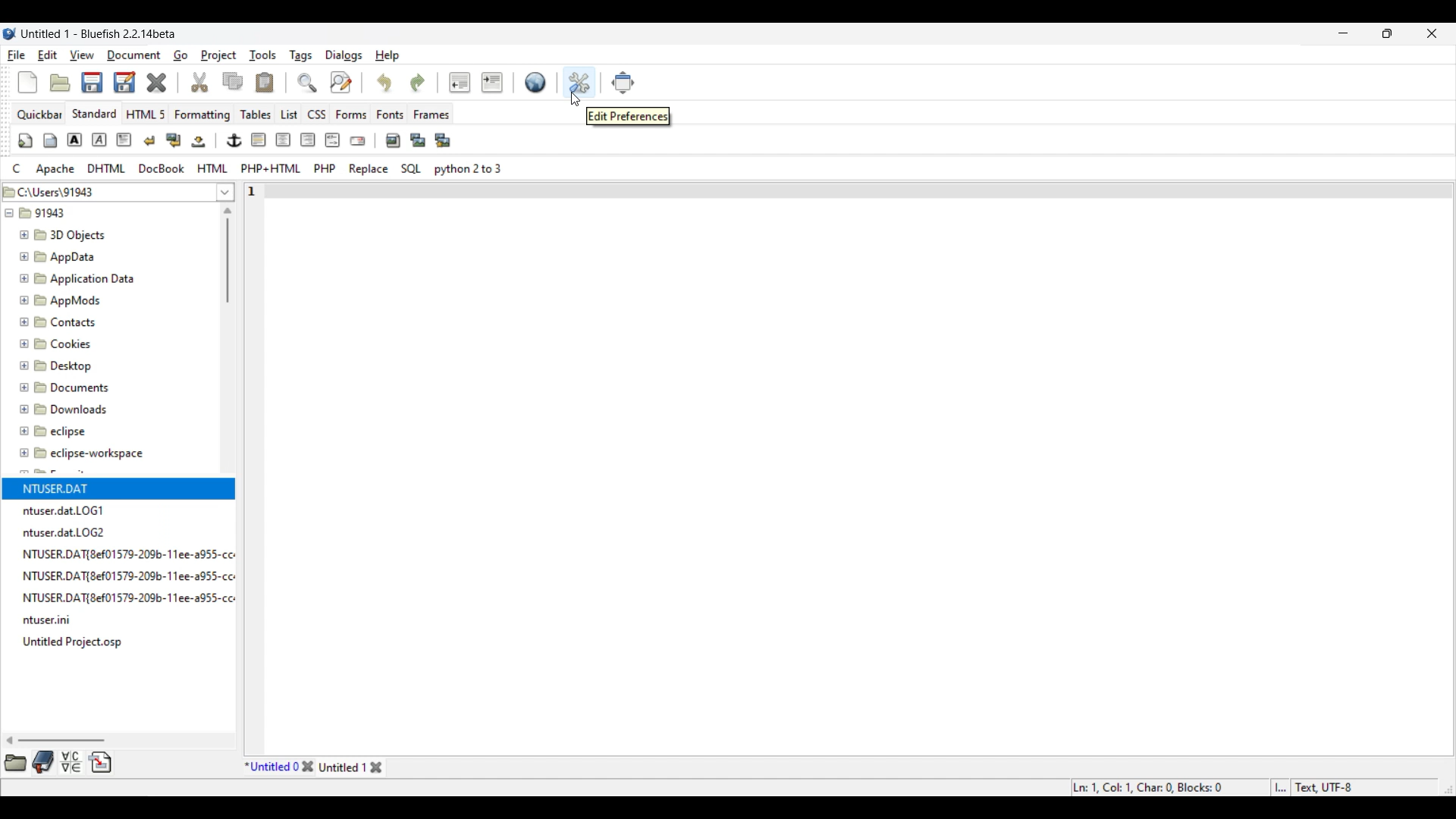 The height and width of the screenshot is (819, 1456). Describe the element at coordinates (64, 235) in the screenshot. I see `3D Objects` at that location.